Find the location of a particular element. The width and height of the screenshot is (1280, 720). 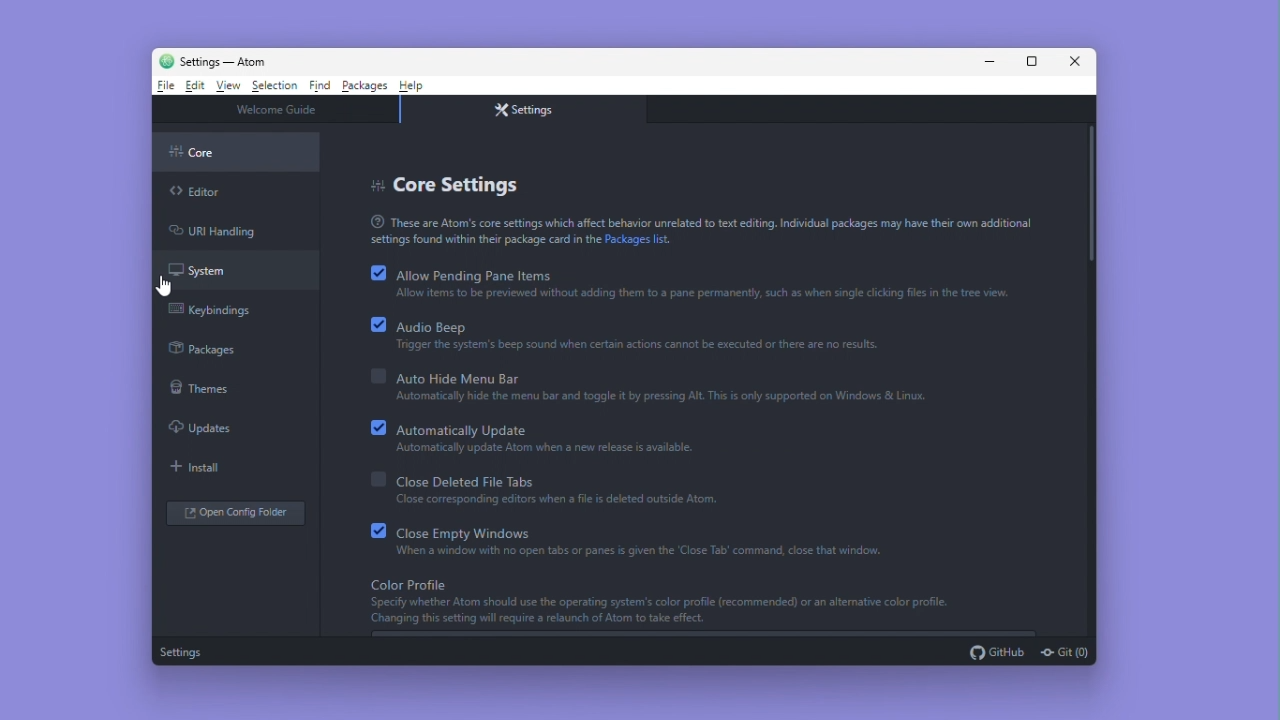

Tngger the system's beep sound when certain actions cannot be executed or there are no results. is located at coordinates (634, 344).